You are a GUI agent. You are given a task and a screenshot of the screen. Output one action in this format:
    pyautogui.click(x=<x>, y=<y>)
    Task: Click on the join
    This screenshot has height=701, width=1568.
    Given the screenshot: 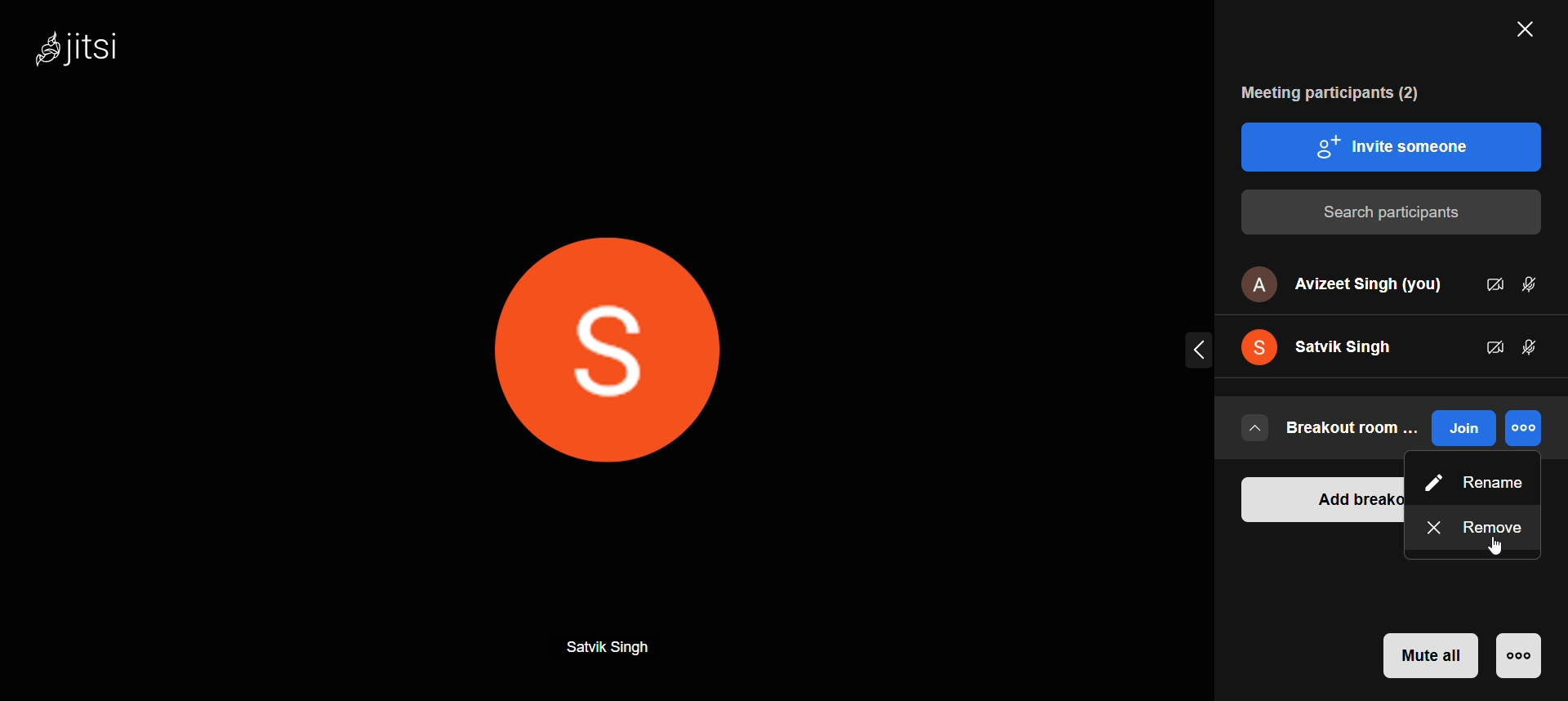 What is the action you would take?
    pyautogui.click(x=1463, y=429)
    